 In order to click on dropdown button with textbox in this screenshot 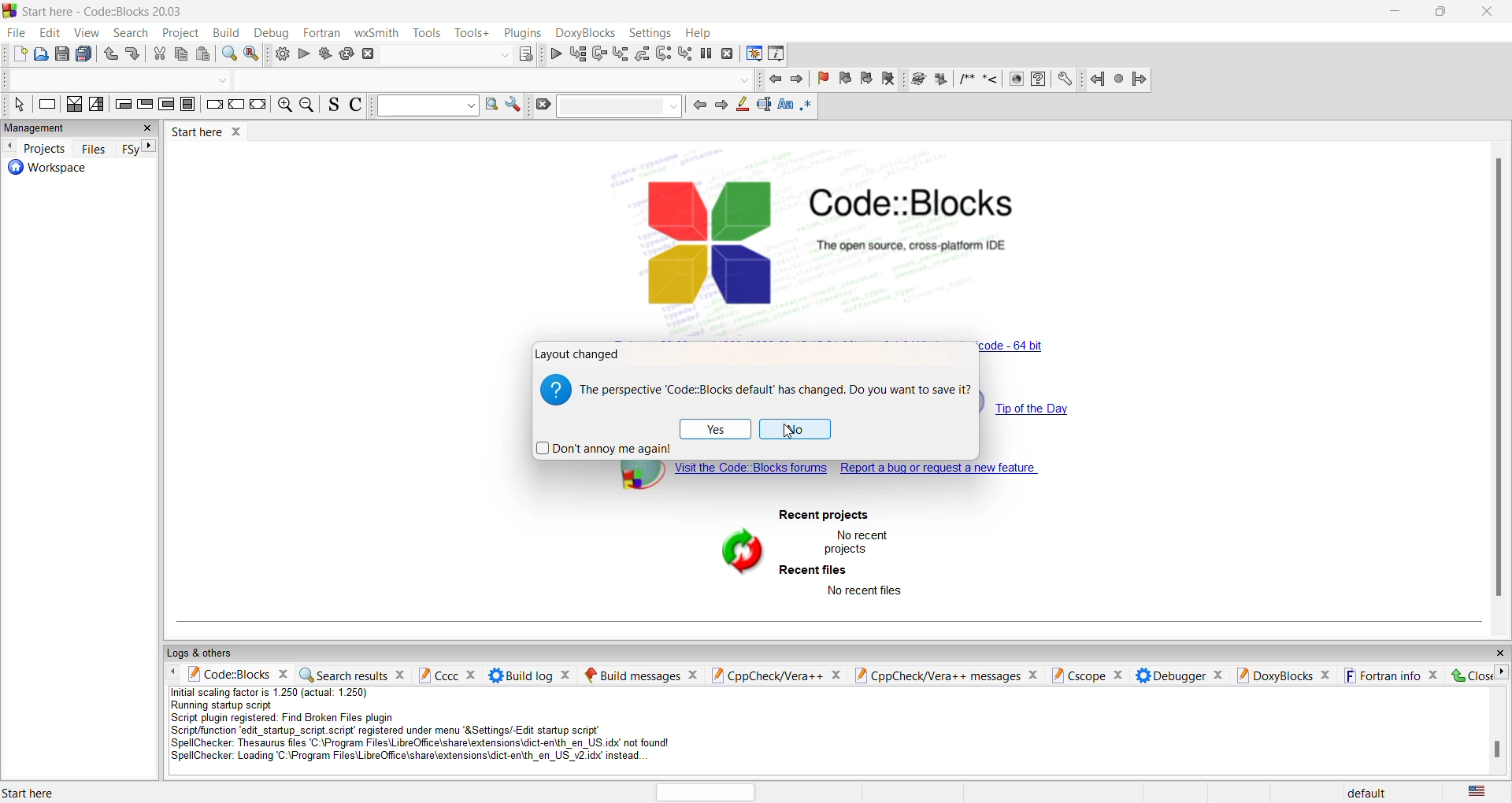, I will do `click(427, 106)`.